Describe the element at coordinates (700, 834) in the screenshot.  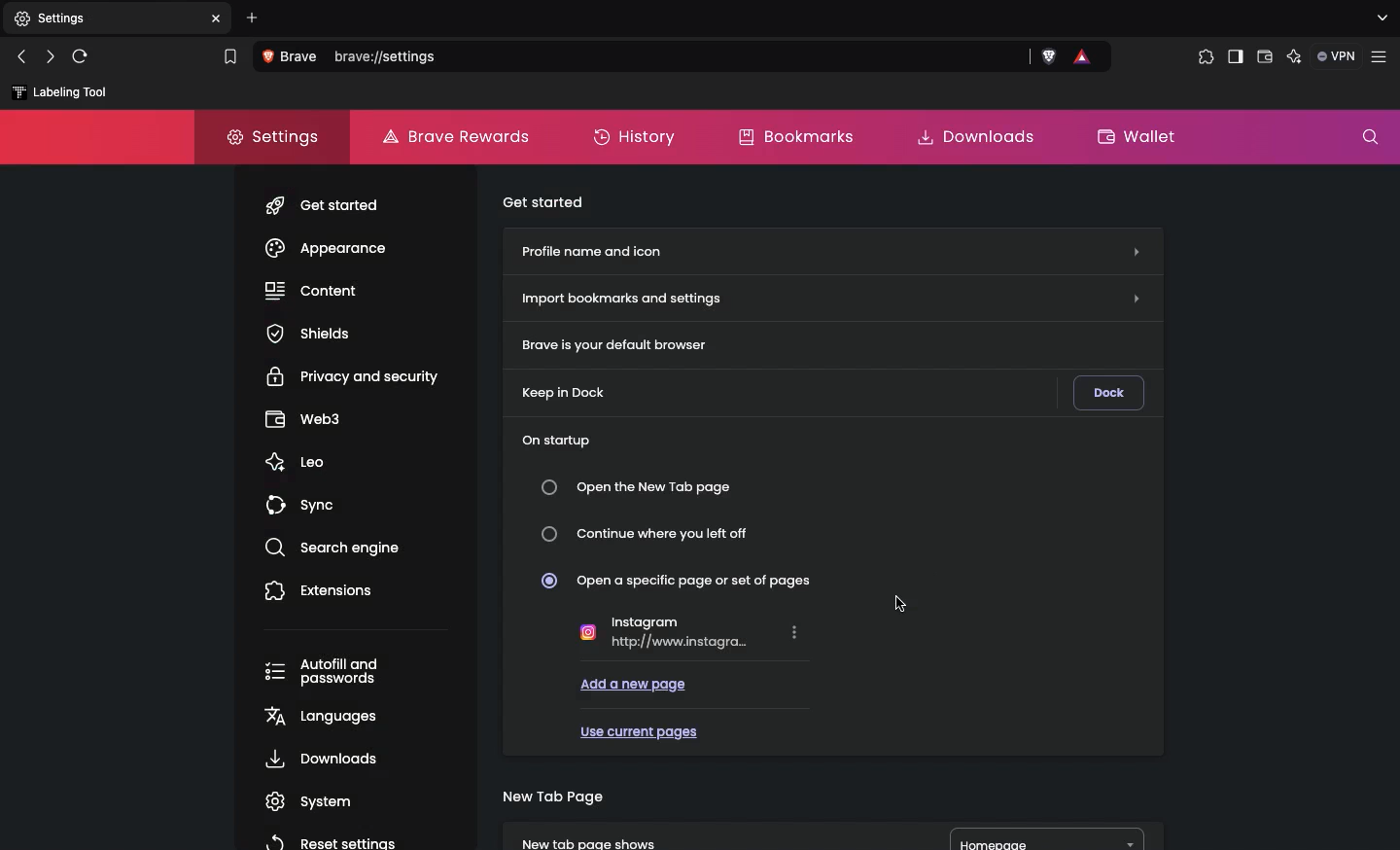
I see `New tab page shows` at that location.